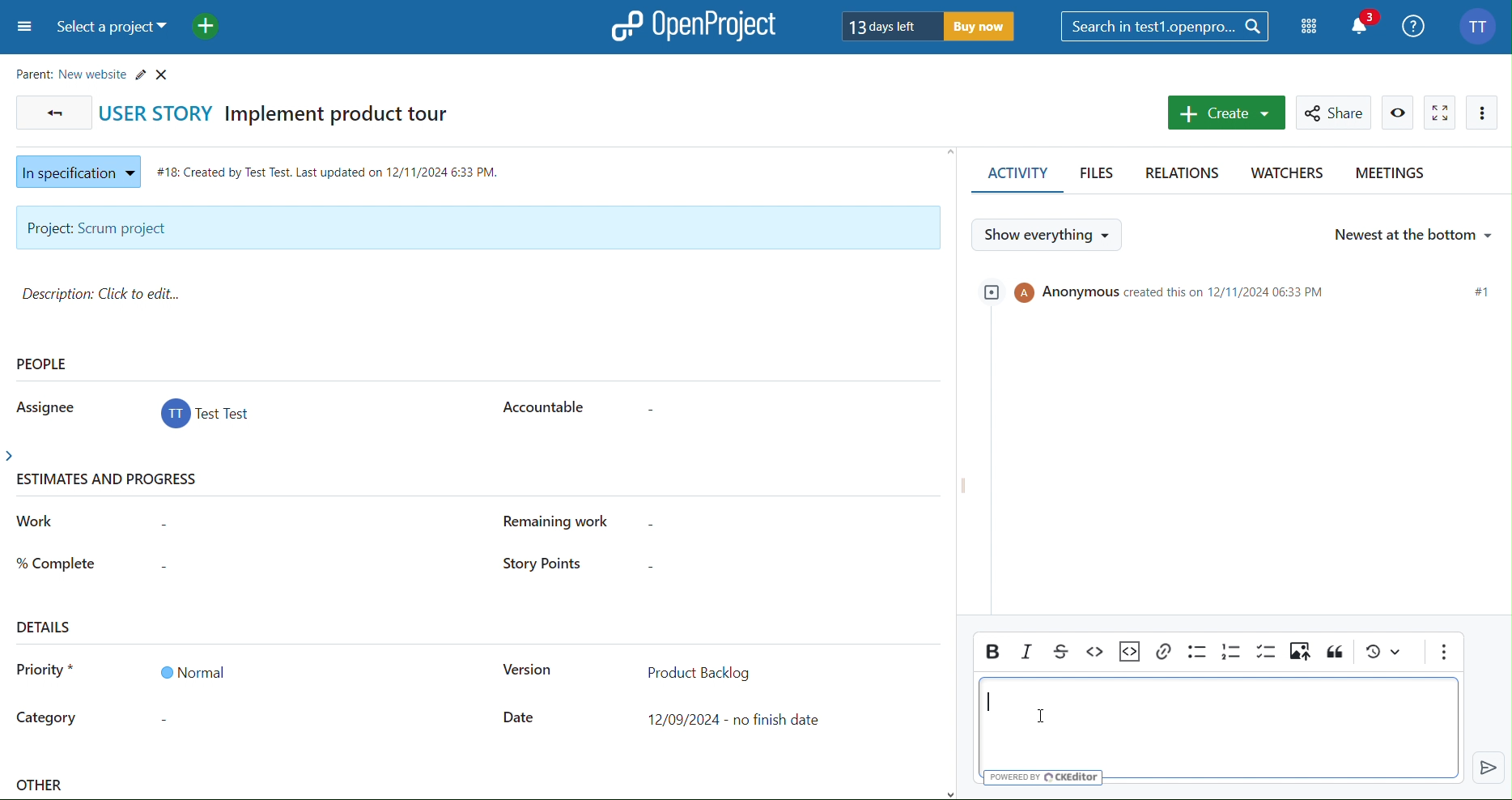 This screenshot has height=800, width=1512. What do you see at coordinates (1412, 232) in the screenshot?
I see `Newest at the bottom` at bounding box center [1412, 232].